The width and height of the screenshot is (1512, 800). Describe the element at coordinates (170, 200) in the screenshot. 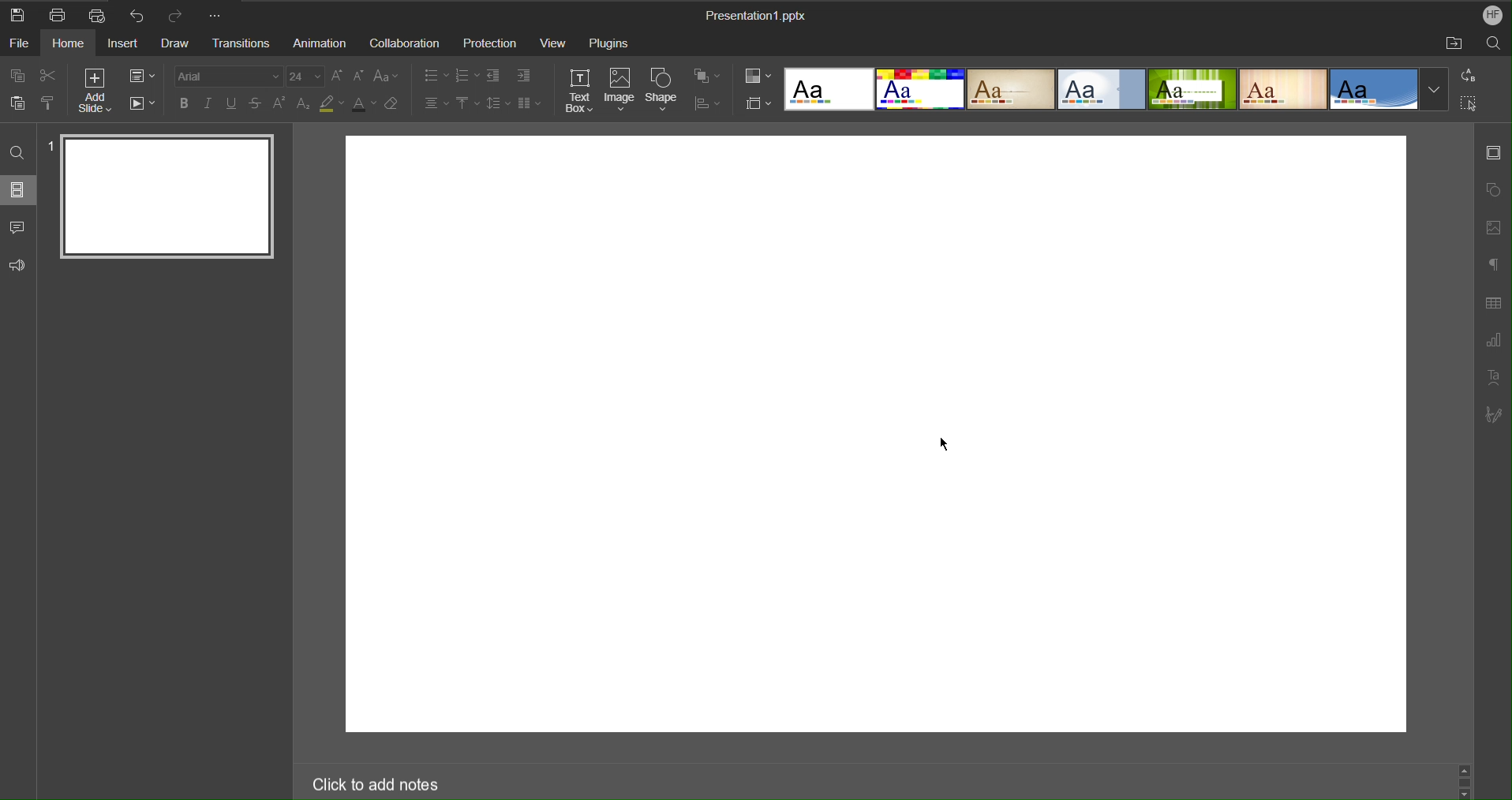

I see `Slide 1` at that location.